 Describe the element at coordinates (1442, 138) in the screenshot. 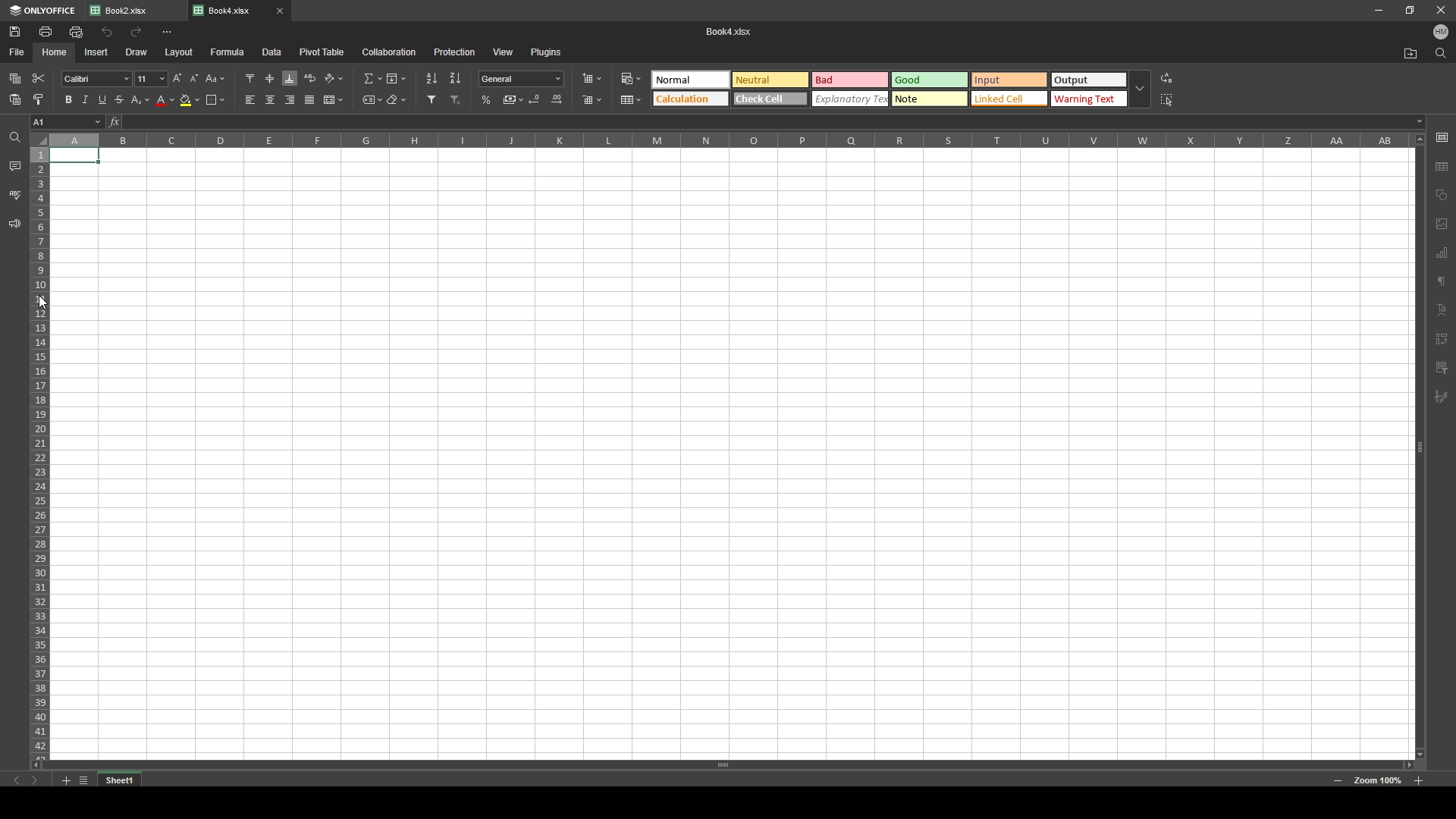

I see `cell settings` at that location.